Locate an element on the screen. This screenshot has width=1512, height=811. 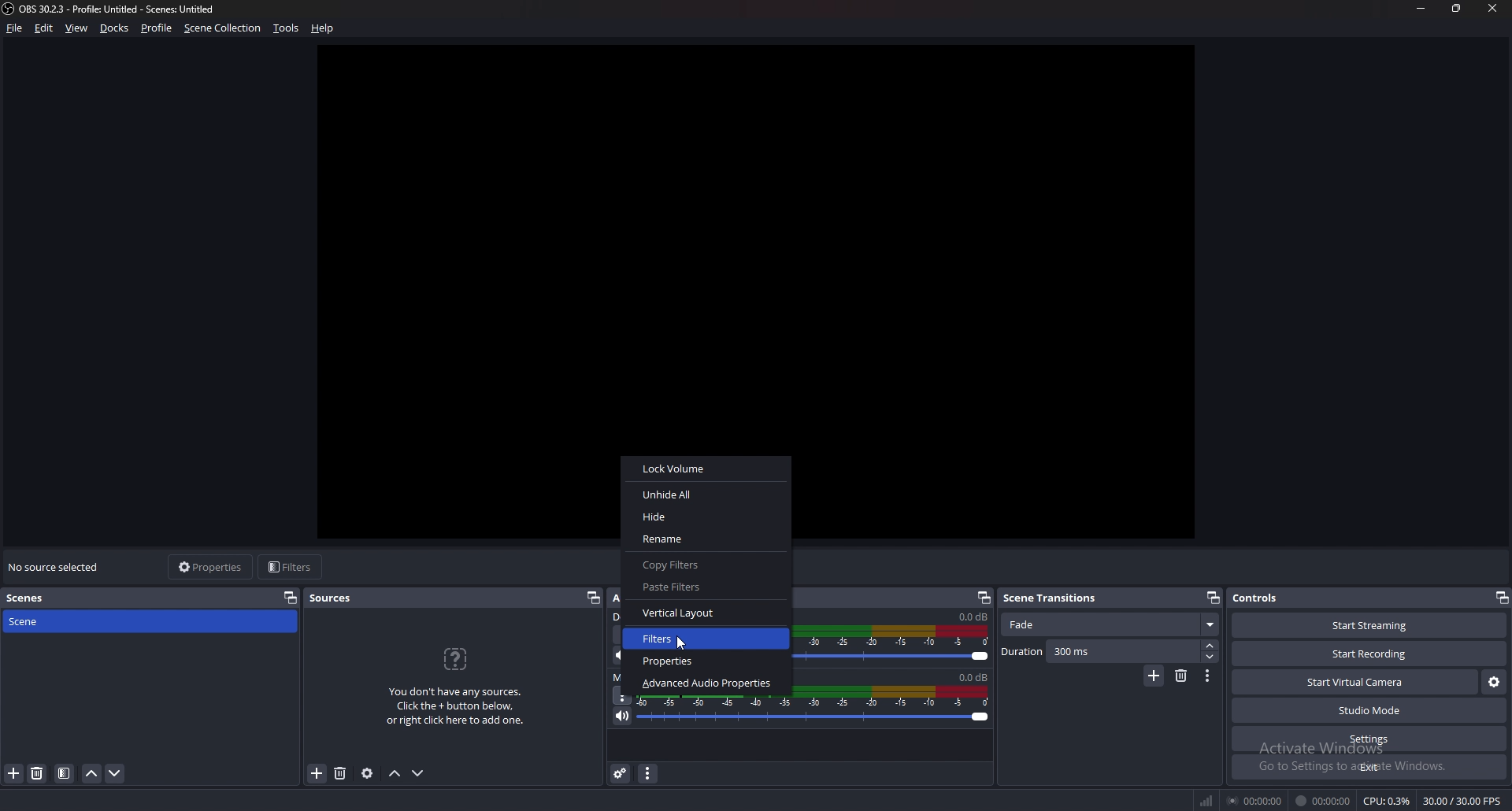
docks is located at coordinates (114, 28).